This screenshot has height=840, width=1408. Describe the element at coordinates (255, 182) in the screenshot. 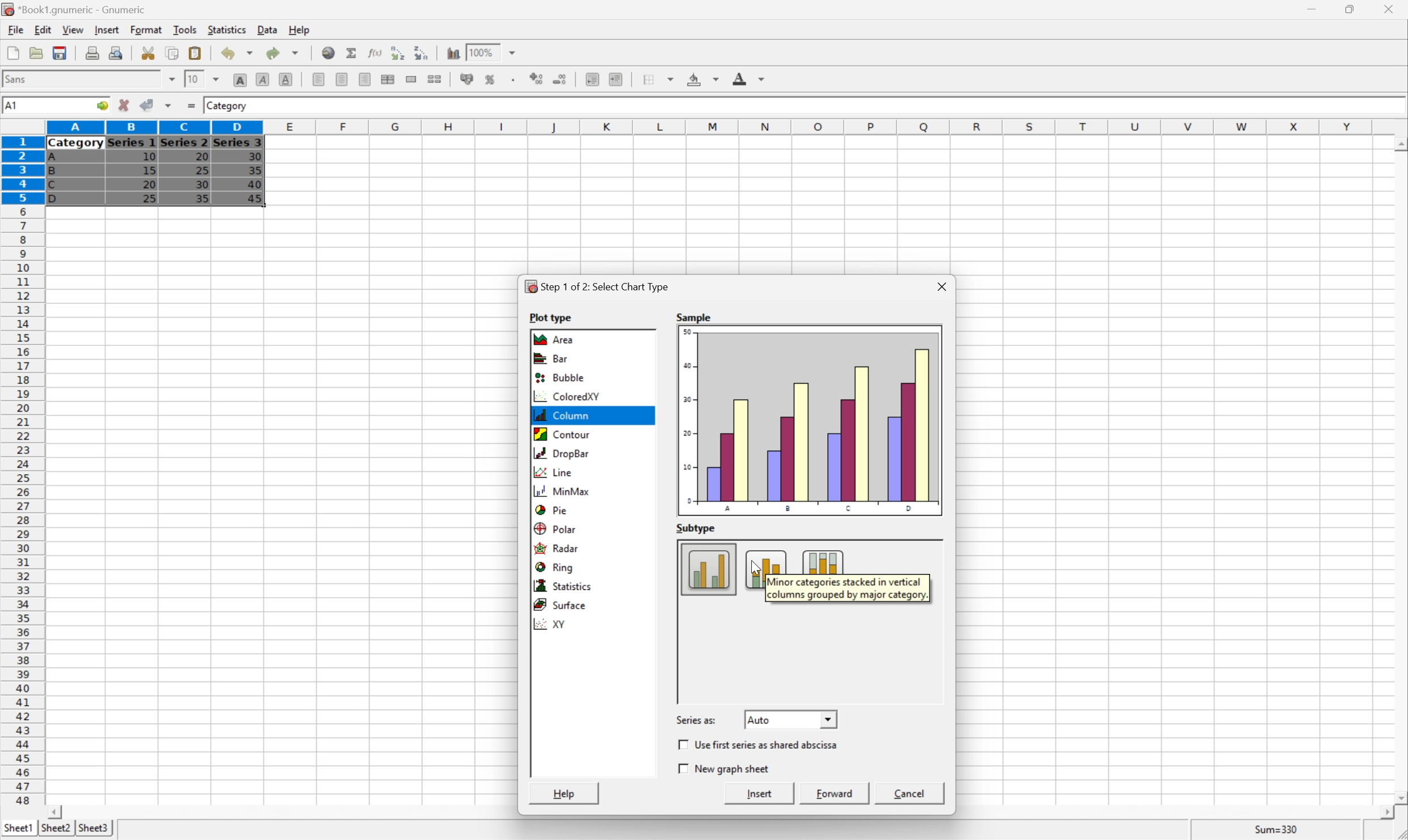

I see `40` at that location.